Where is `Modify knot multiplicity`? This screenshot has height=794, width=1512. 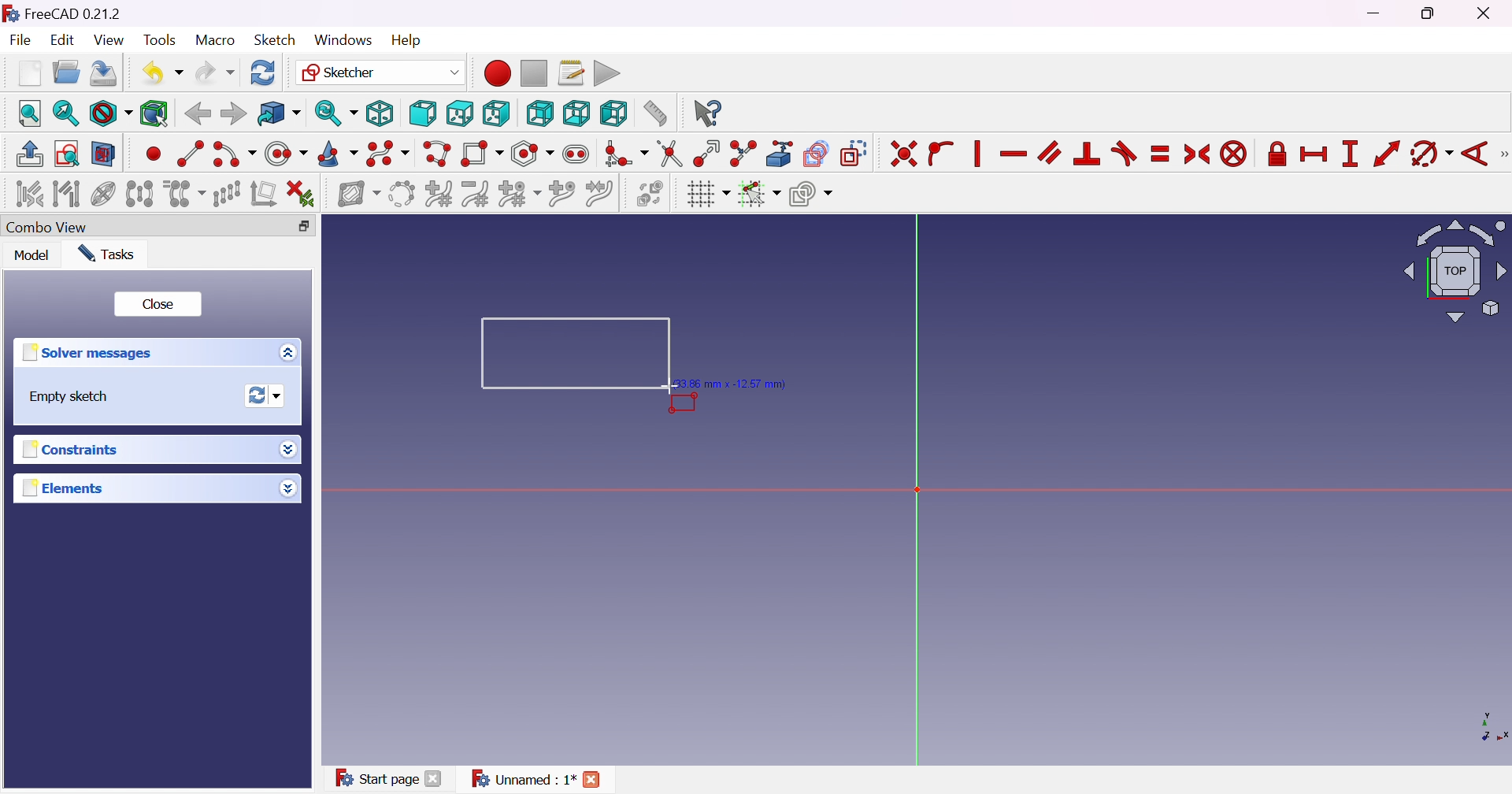
Modify knot multiplicity is located at coordinates (519, 193).